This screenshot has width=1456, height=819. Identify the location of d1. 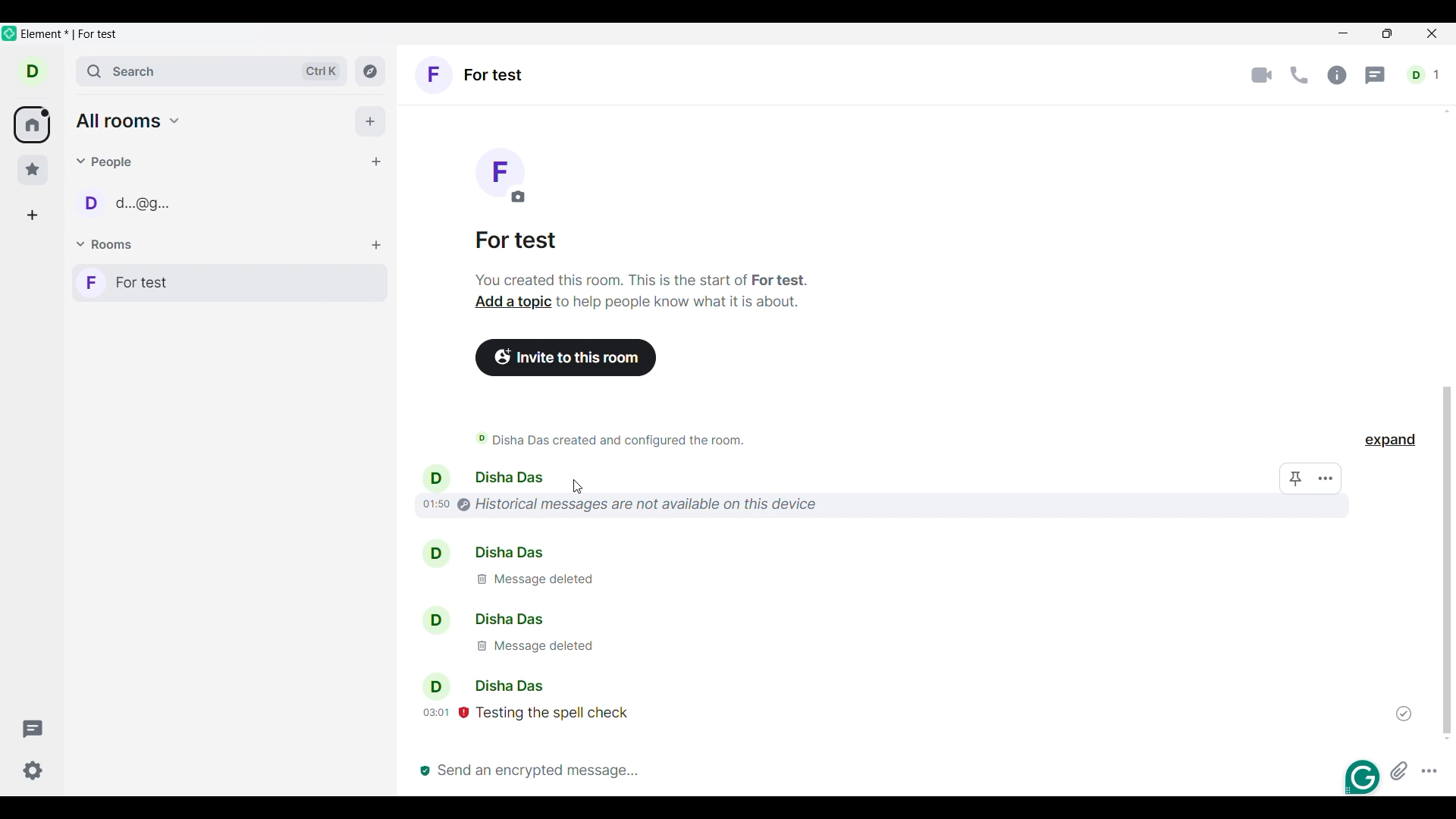
(1425, 75).